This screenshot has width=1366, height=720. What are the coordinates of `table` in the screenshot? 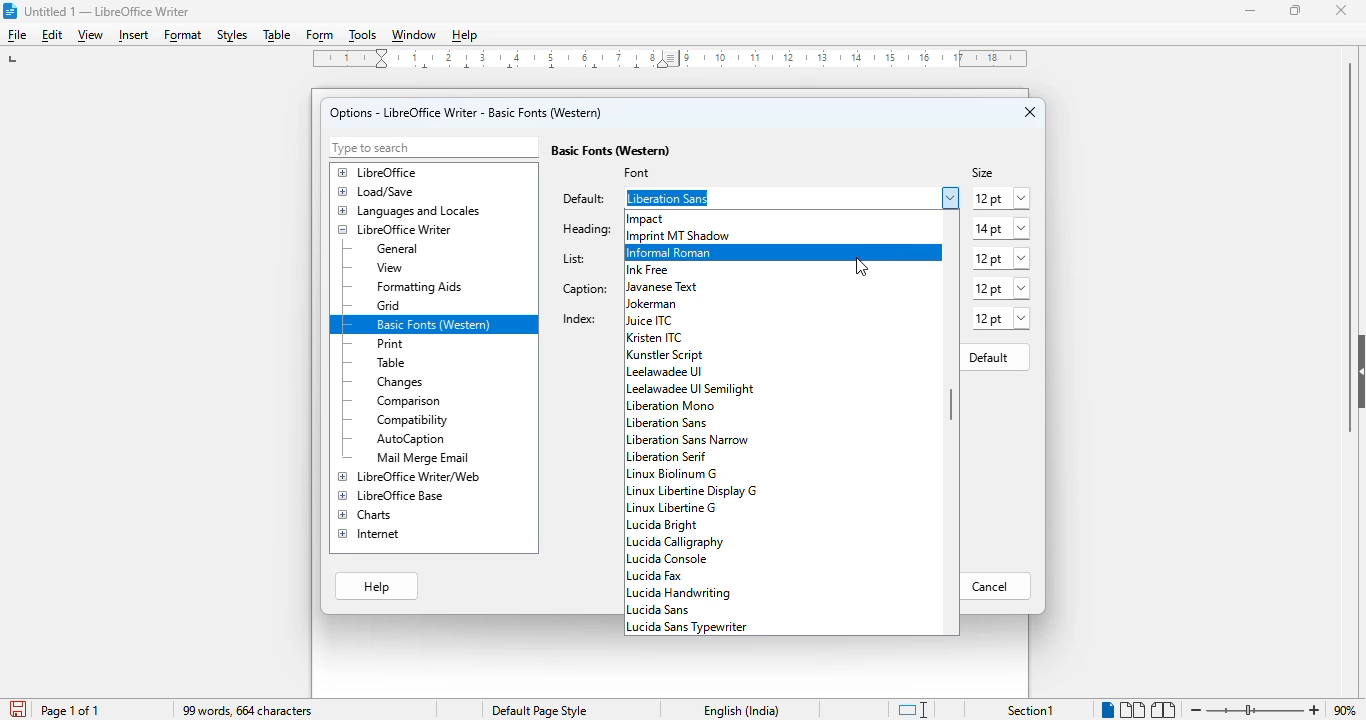 It's located at (276, 35).